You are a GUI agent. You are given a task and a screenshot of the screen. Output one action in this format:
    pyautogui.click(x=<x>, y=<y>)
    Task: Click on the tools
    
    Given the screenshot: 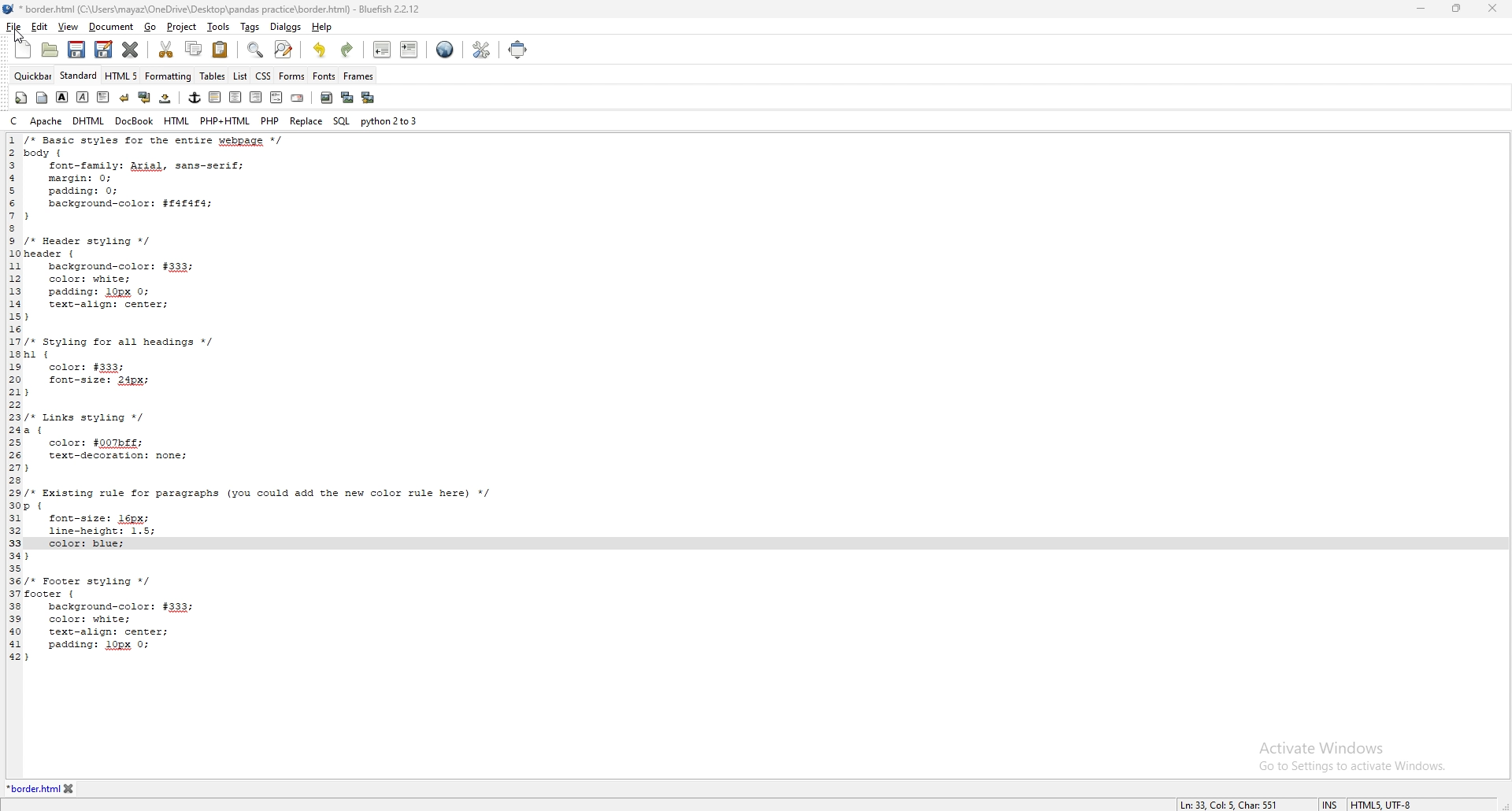 What is the action you would take?
    pyautogui.click(x=218, y=27)
    